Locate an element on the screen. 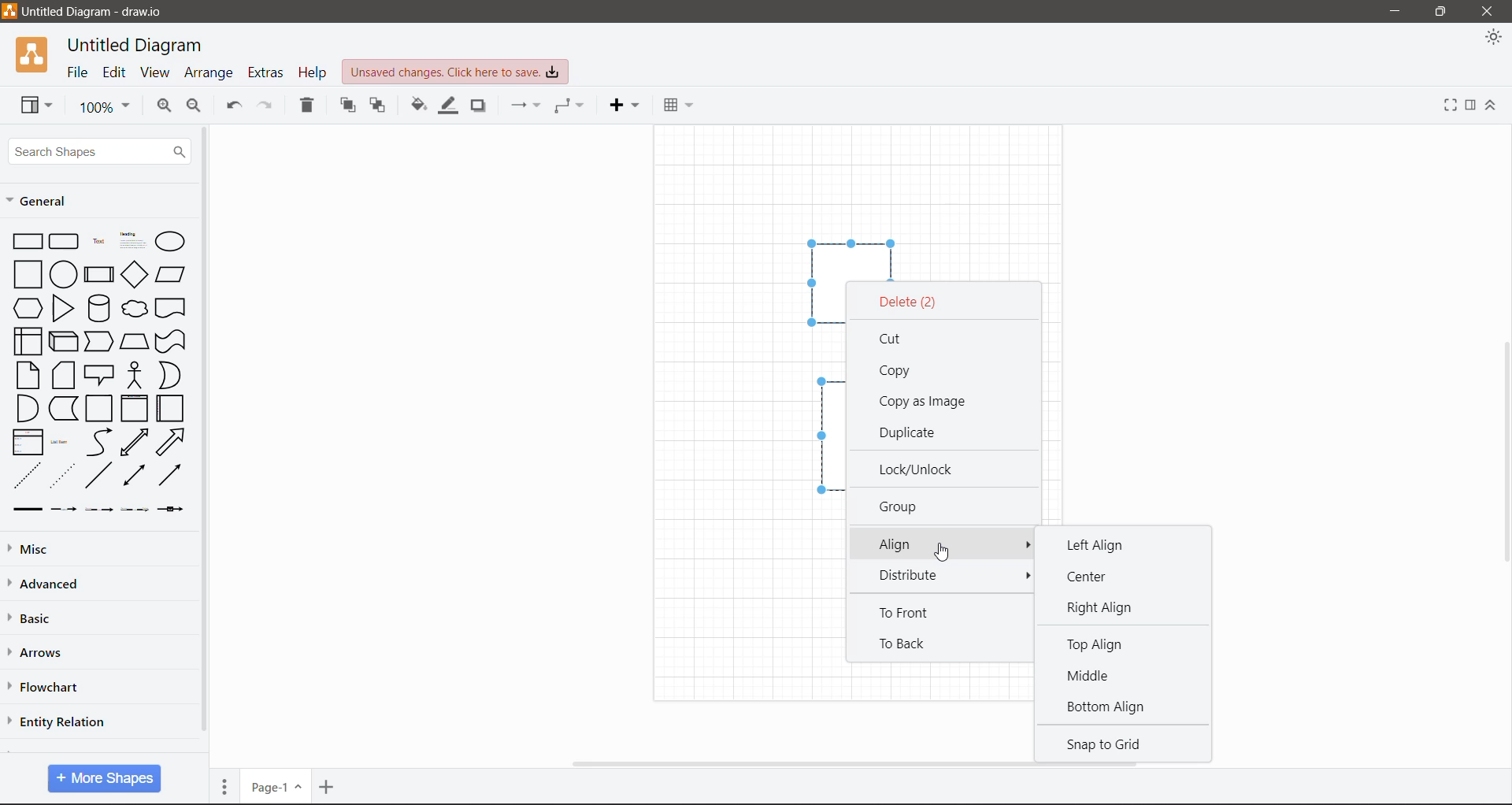  Waypoints is located at coordinates (569, 107).